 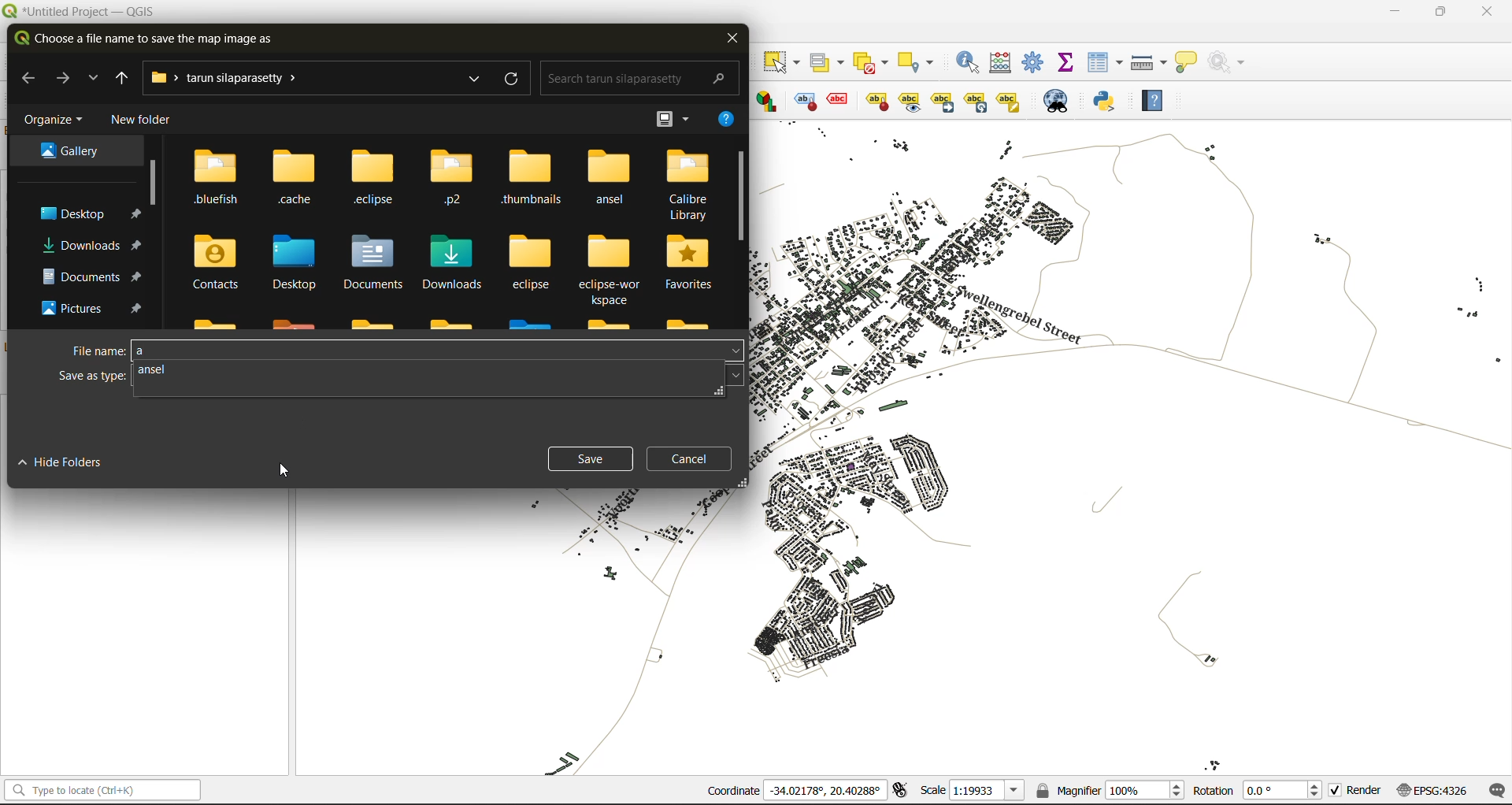 What do you see at coordinates (732, 39) in the screenshot?
I see `close` at bounding box center [732, 39].